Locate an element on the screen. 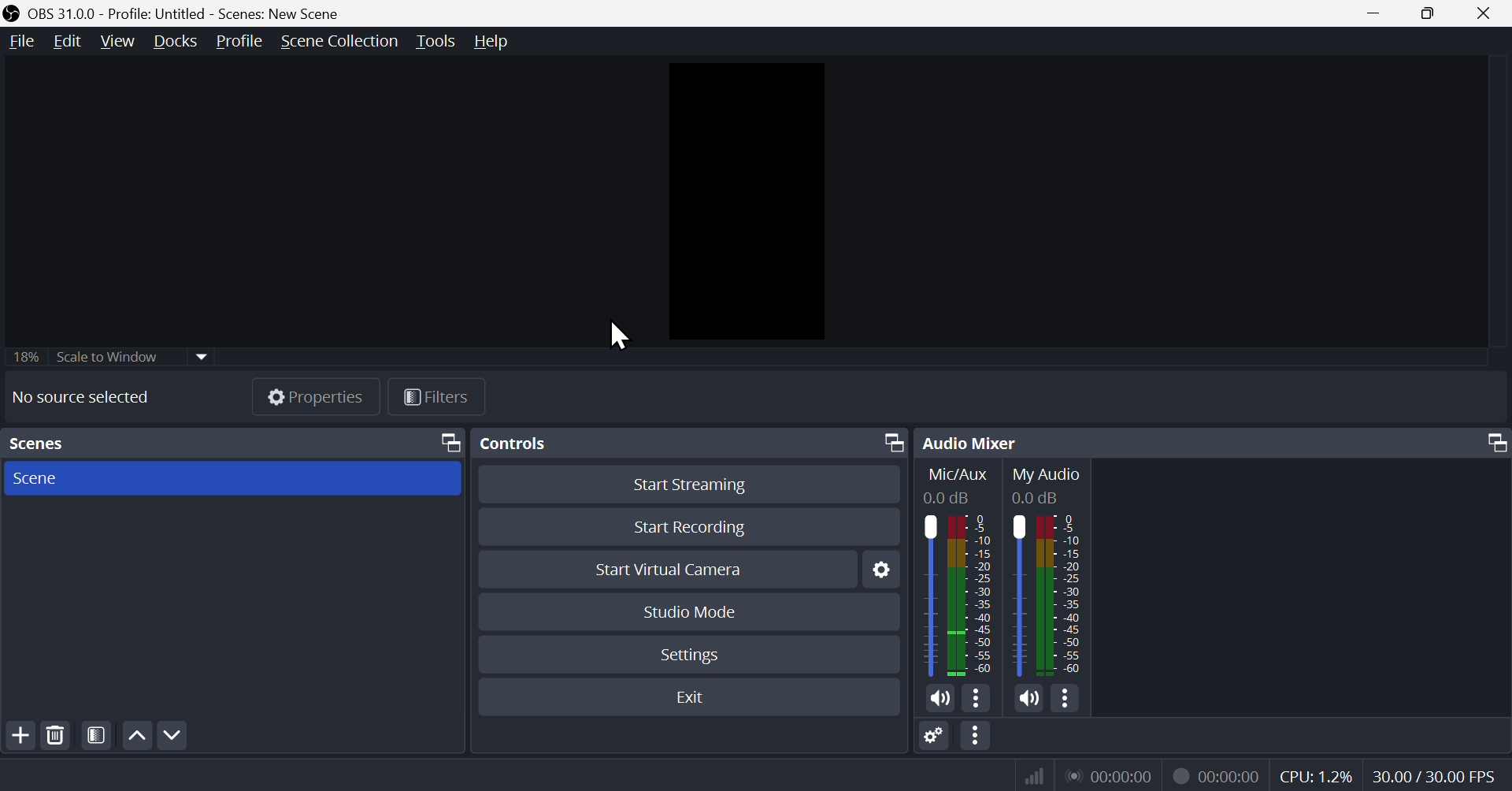  Delete is located at coordinates (55, 735).